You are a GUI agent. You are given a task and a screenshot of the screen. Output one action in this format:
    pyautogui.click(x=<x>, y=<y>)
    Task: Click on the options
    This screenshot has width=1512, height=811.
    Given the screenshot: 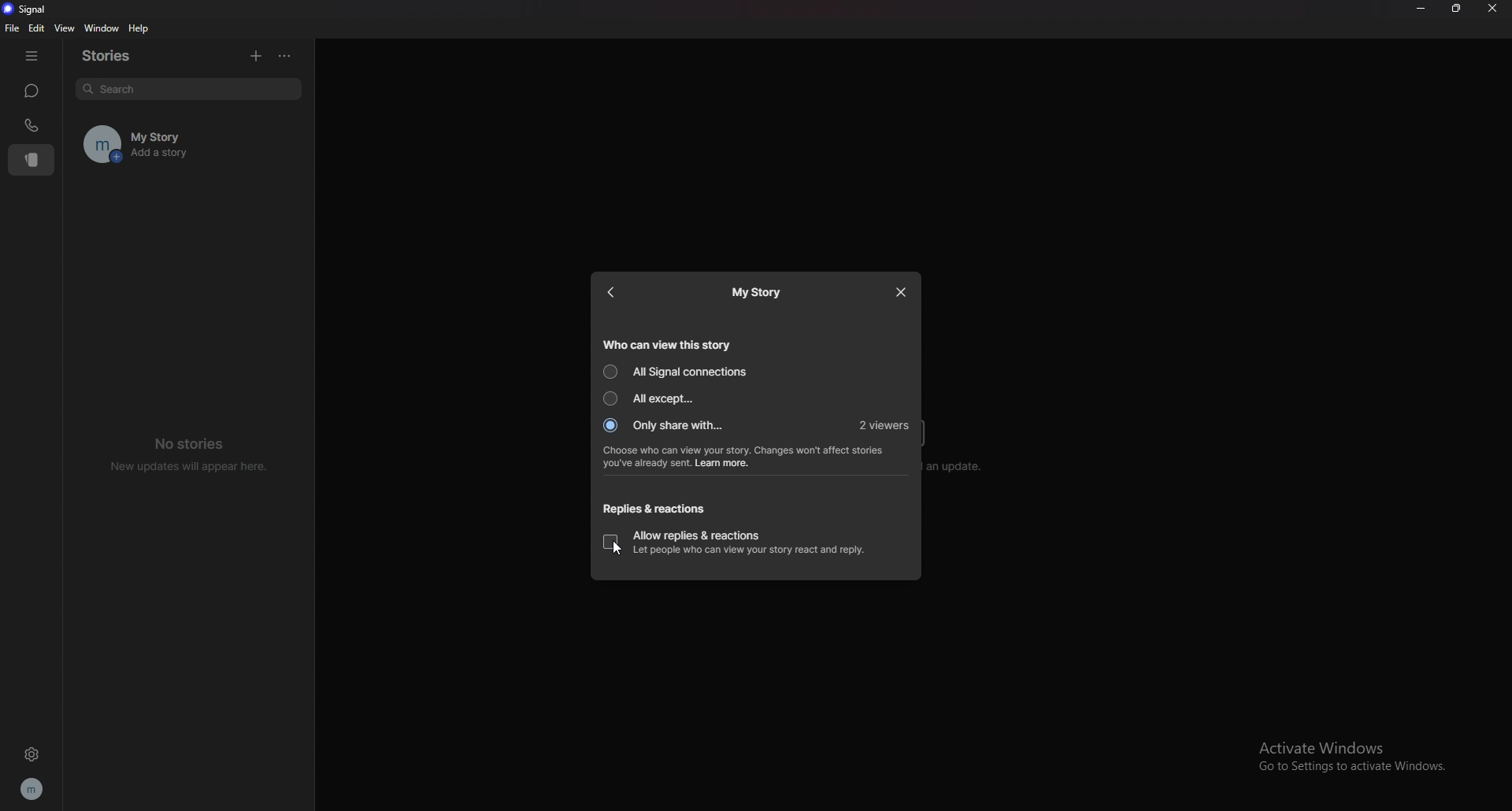 What is the action you would take?
    pyautogui.click(x=284, y=56)
    